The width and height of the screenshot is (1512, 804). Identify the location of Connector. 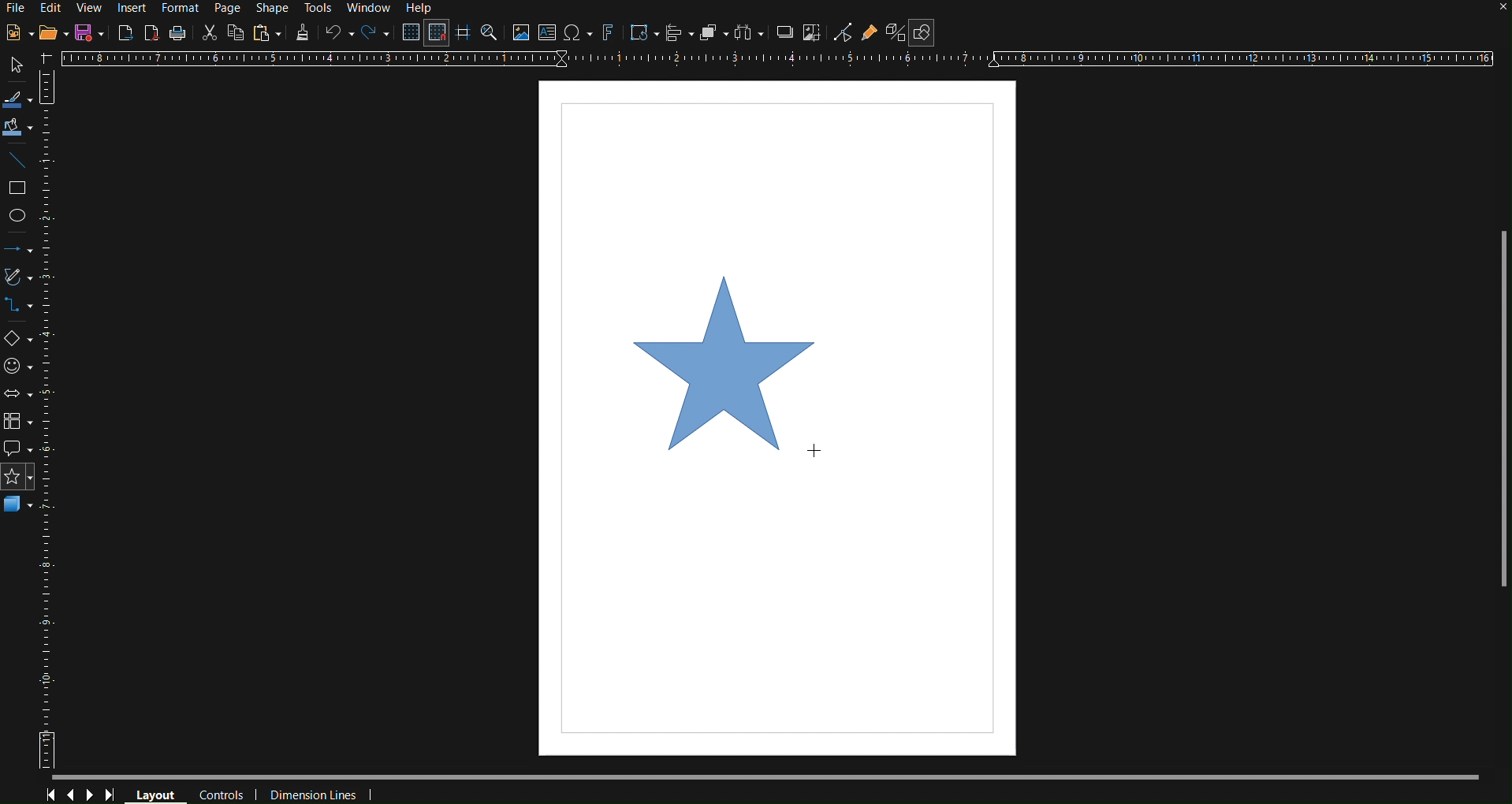
(20, 311).